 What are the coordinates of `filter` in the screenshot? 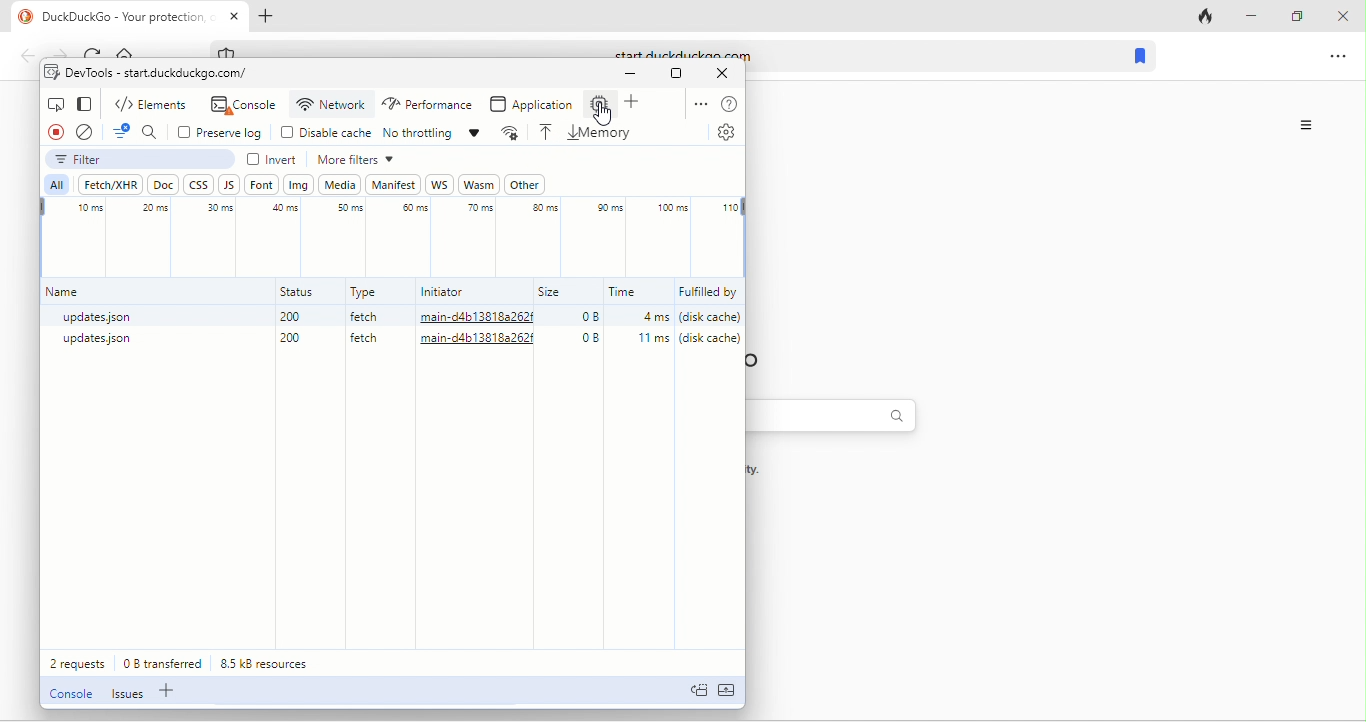 It's located at (139, 158).